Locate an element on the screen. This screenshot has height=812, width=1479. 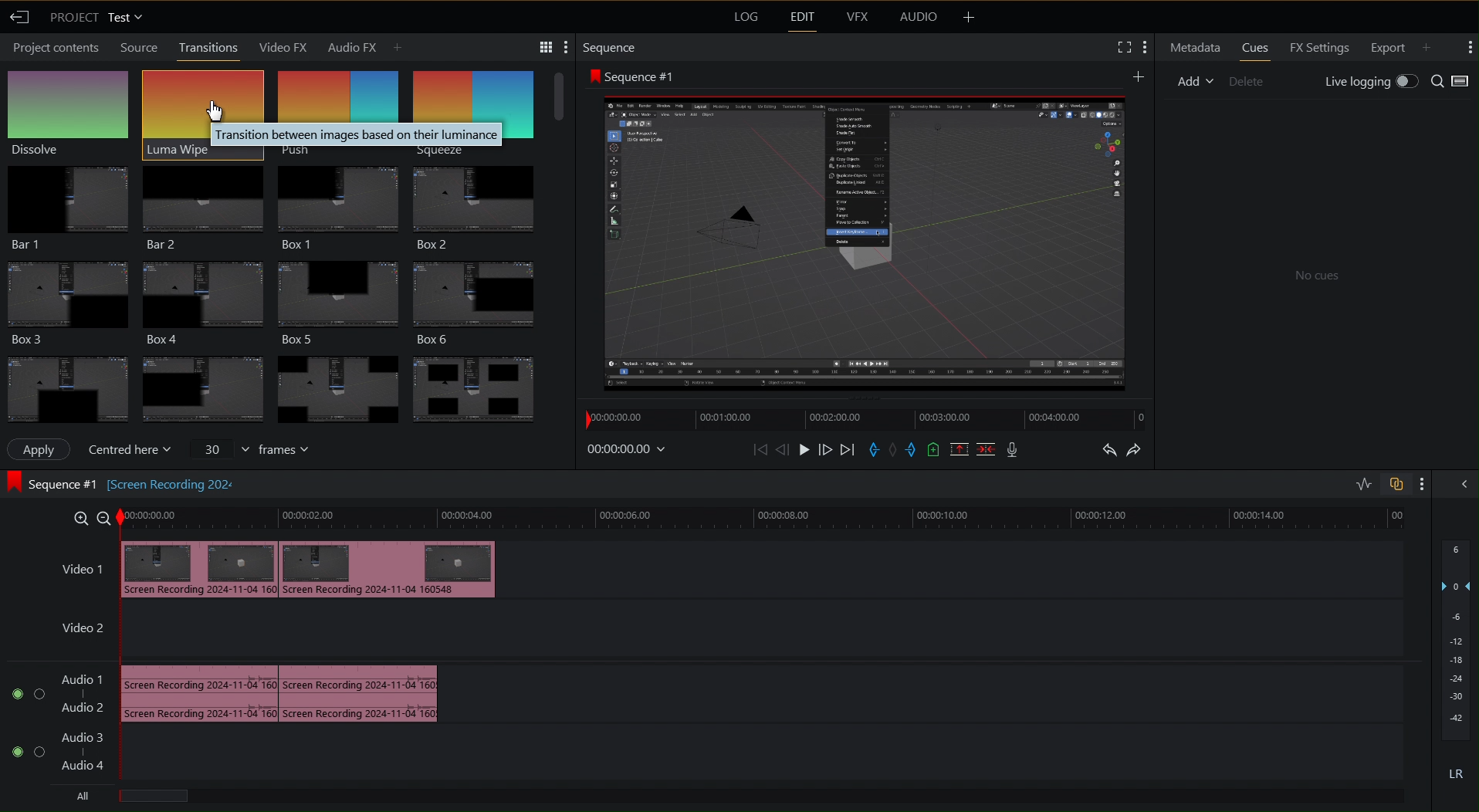
Timestamp is located at coordinates (630, 449).